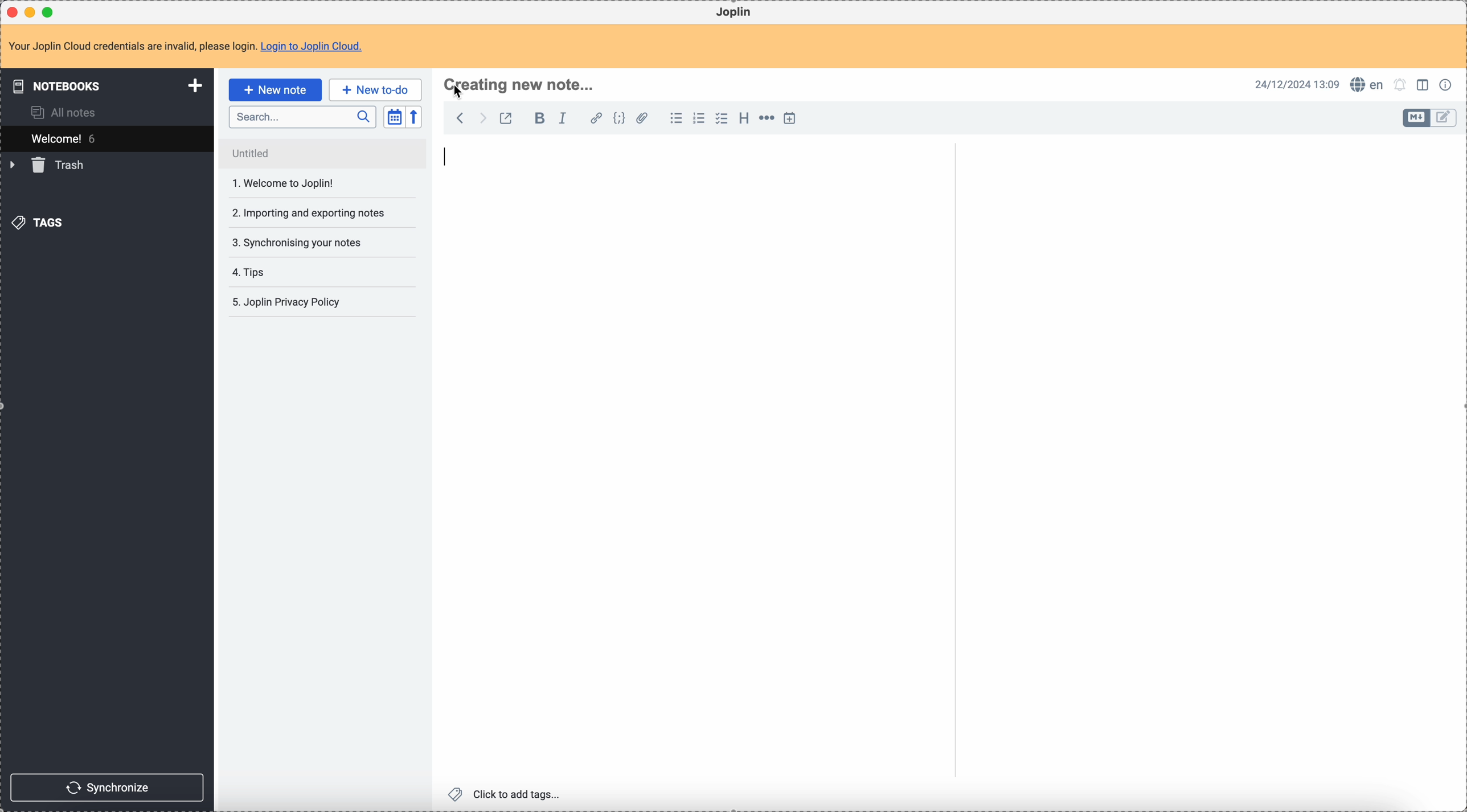 This screenshot has height=812, width=1467. I want to click on date and hour, so click(1297, 84).